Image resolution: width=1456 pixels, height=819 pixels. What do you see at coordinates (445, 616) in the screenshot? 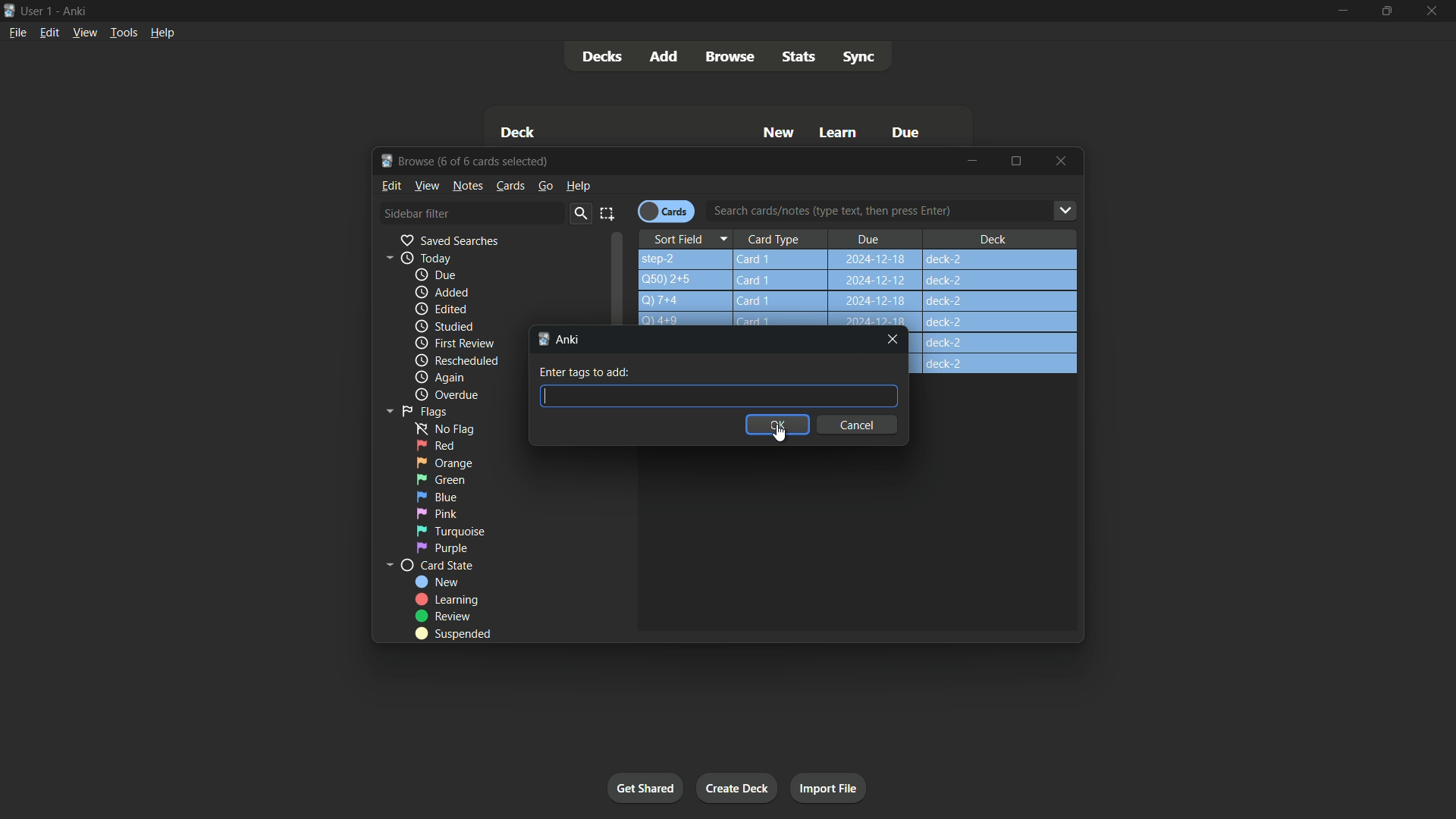
I see `Review` at bounding box center [445, 616].